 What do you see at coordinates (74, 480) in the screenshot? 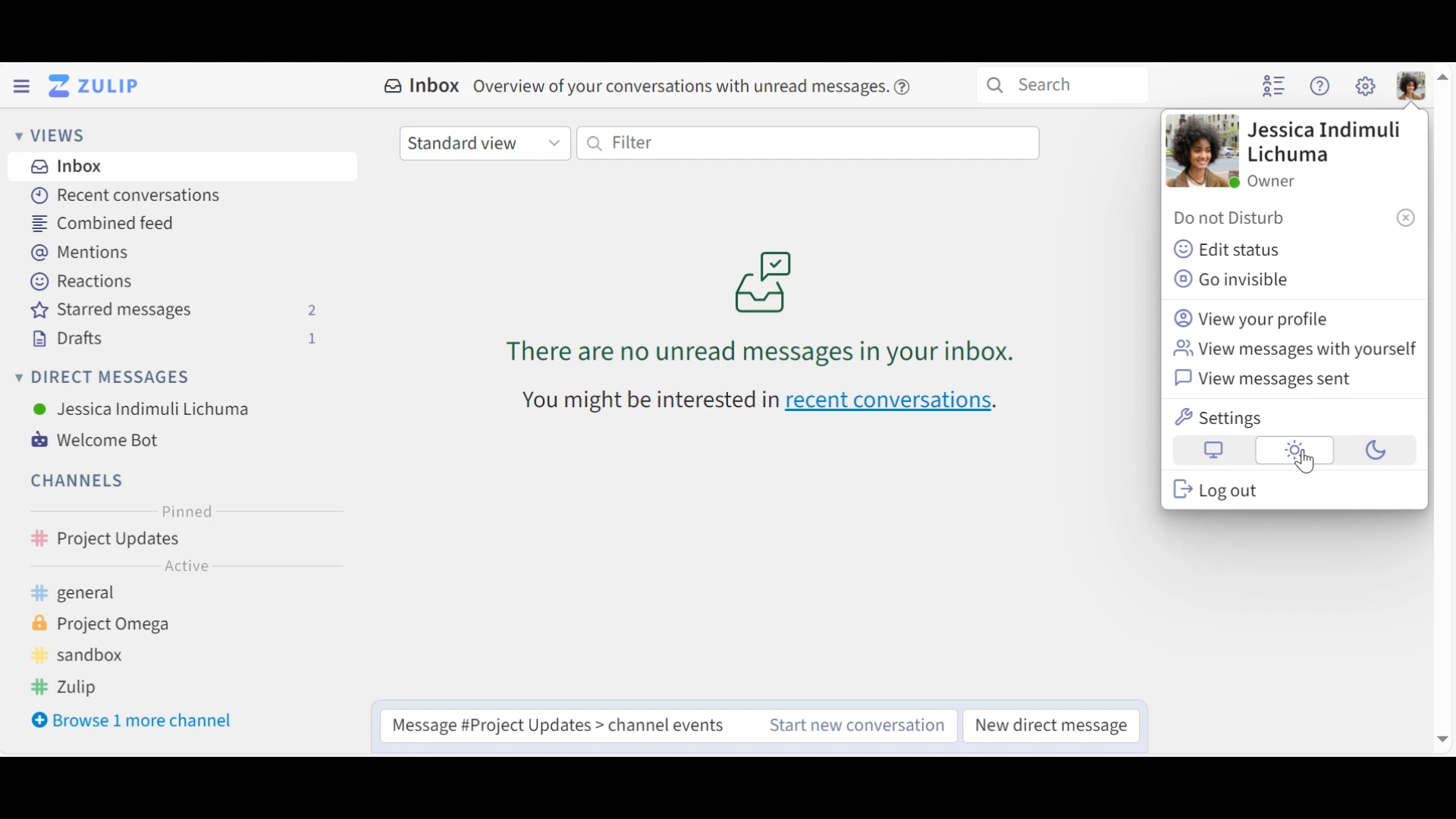
I see `Channels` at bounding box center [74, 480].